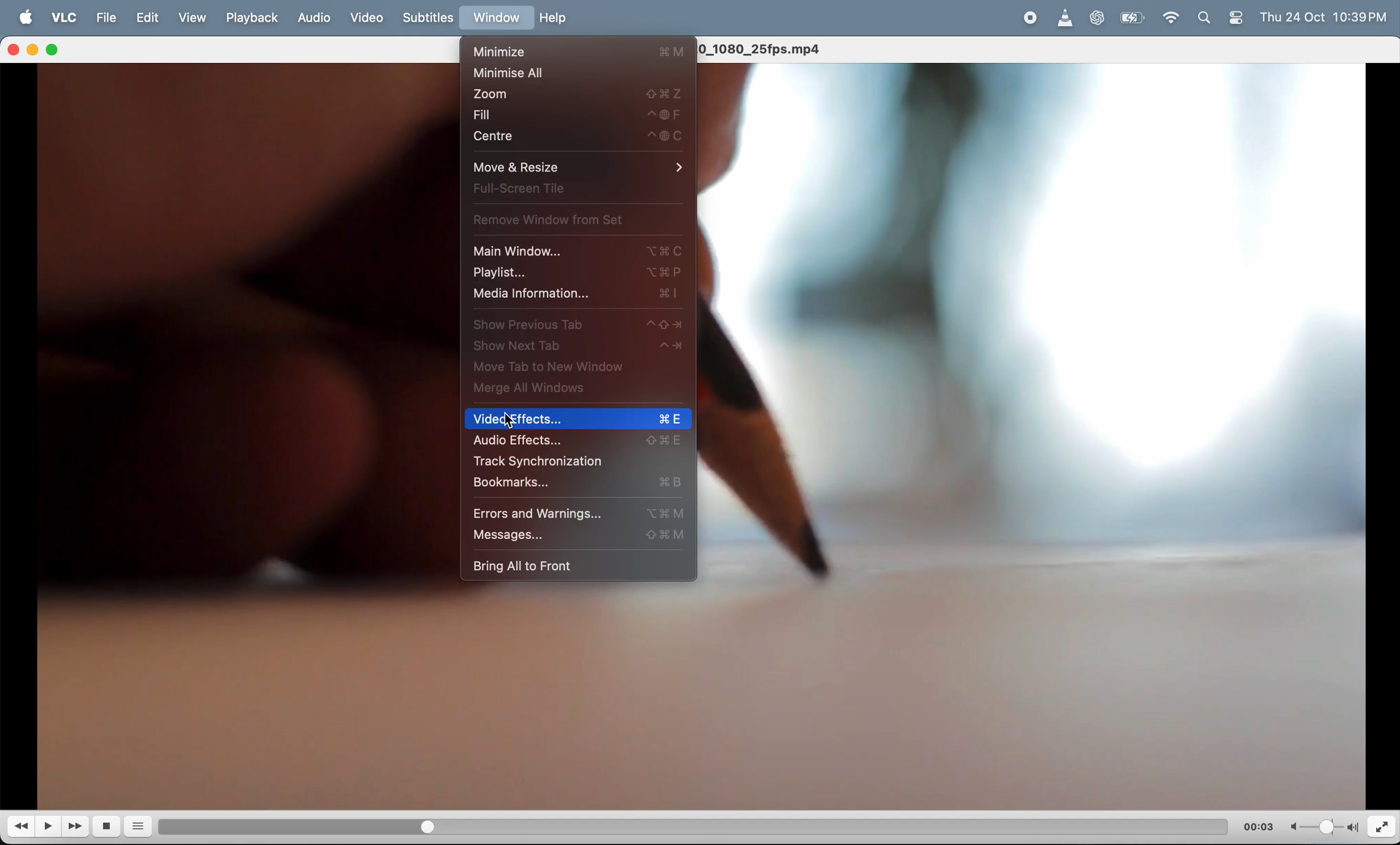 The width and height of the screenshot is (1400, 845). I want to click on Show next tab, so click(578, 348).